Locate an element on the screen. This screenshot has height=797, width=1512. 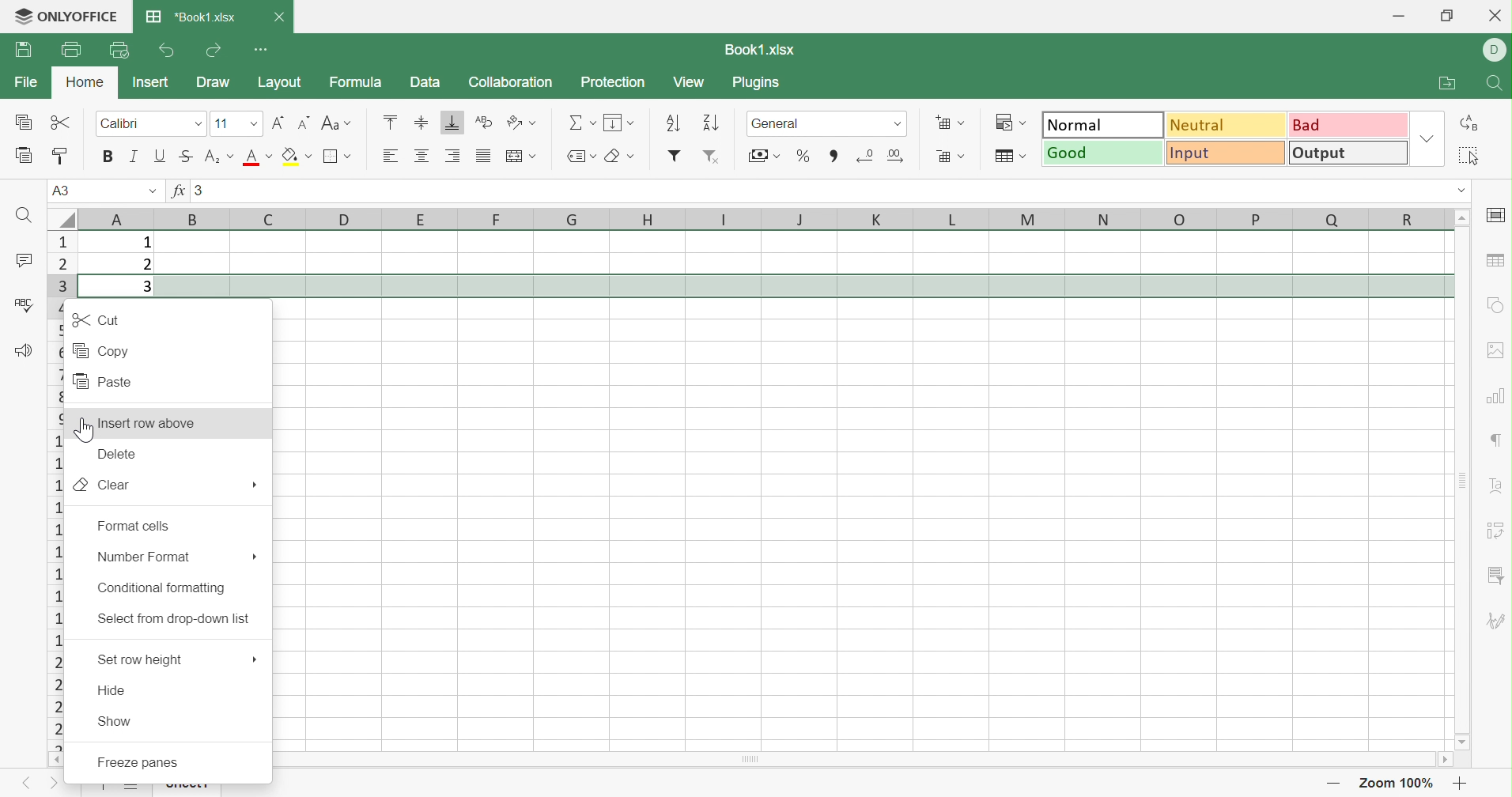
Formula is located at coordinates (359, 82).